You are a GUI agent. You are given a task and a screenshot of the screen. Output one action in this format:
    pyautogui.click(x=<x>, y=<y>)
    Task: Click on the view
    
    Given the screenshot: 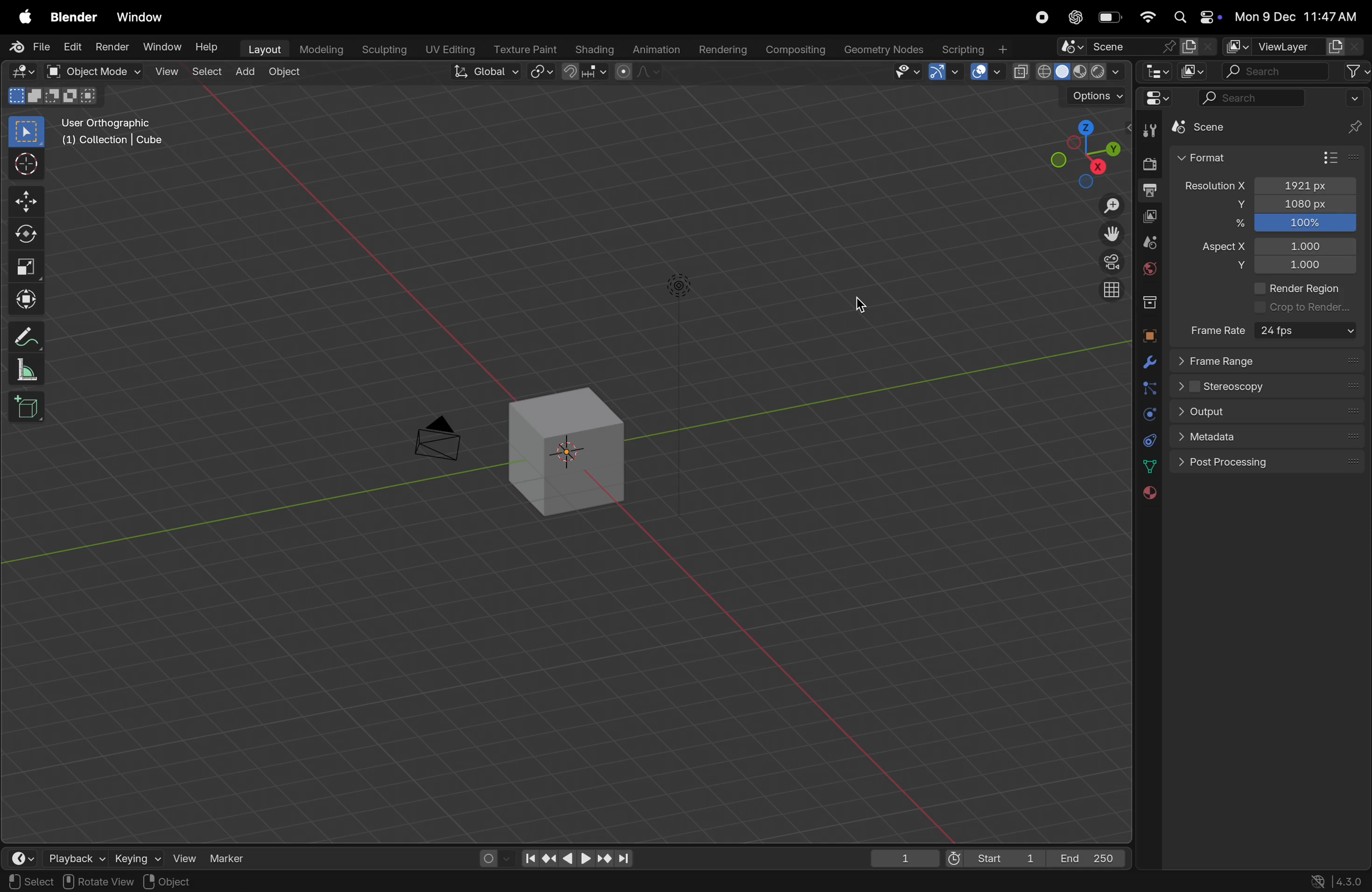 What is the action you would take?
    pyautogui.click(x=165, y=72)
    